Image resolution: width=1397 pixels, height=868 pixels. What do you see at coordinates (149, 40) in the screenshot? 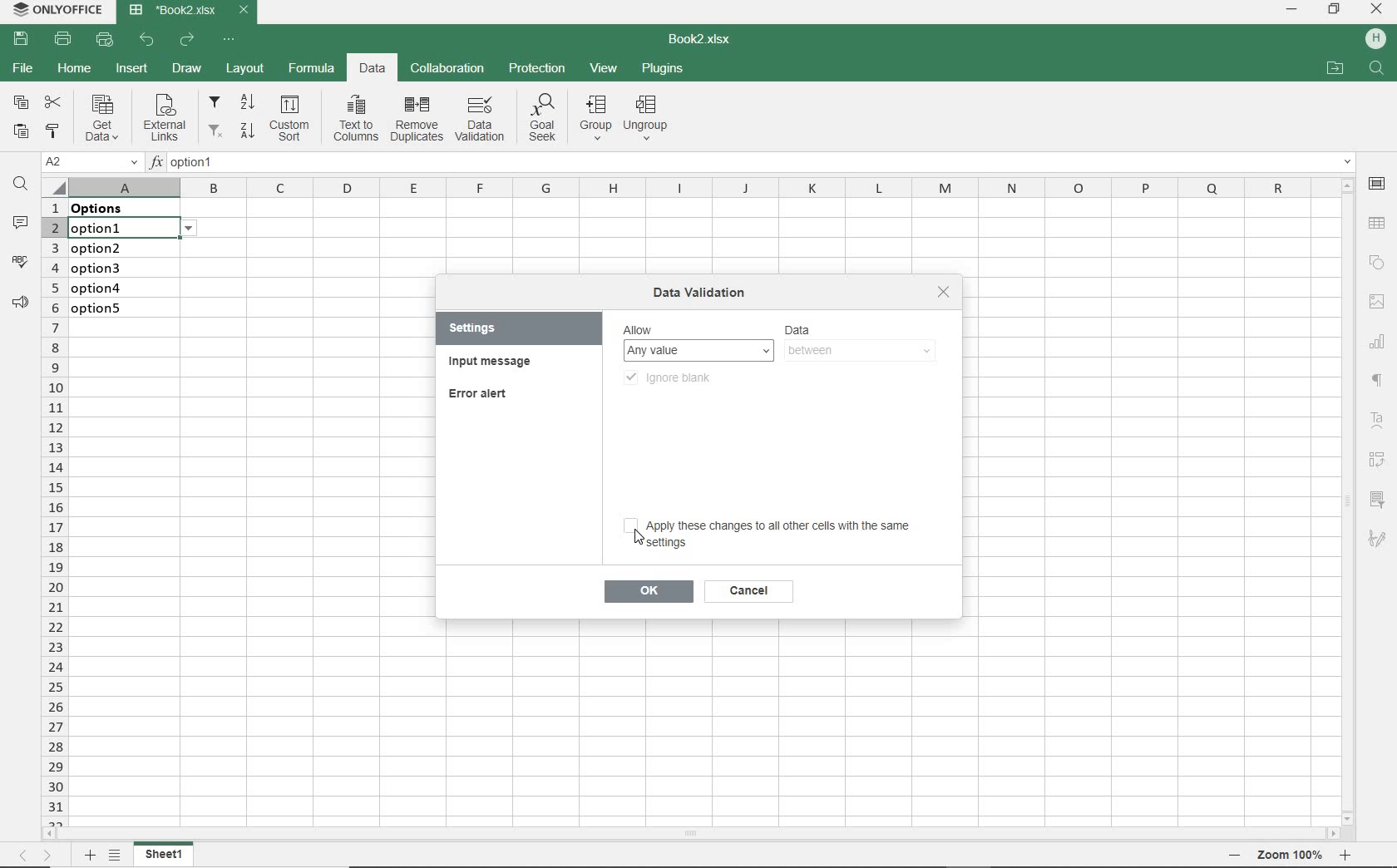
I see `UNDO` at bounding box center [149, 40].